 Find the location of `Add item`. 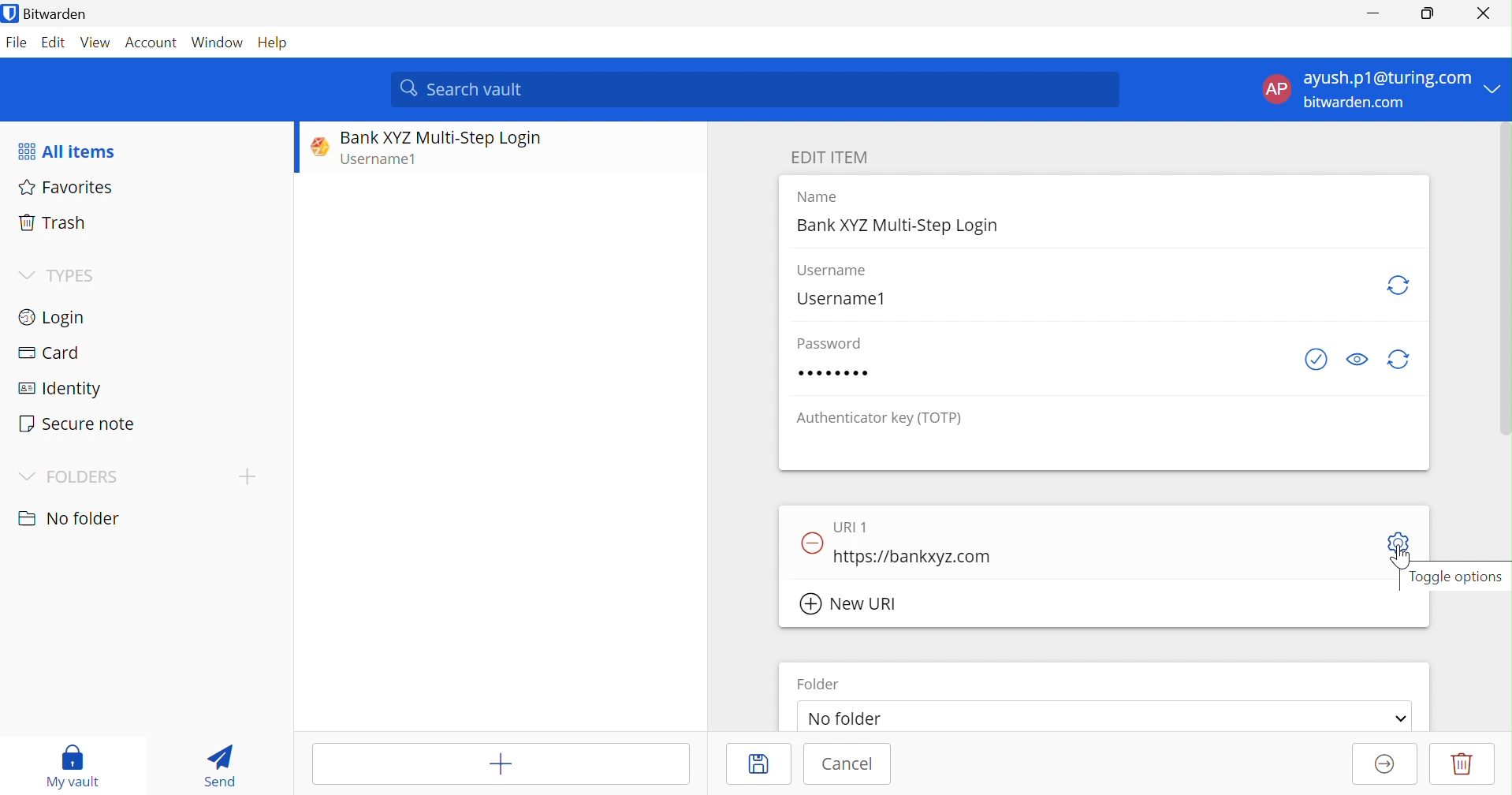

Add item is located at coordinates (501, 764).